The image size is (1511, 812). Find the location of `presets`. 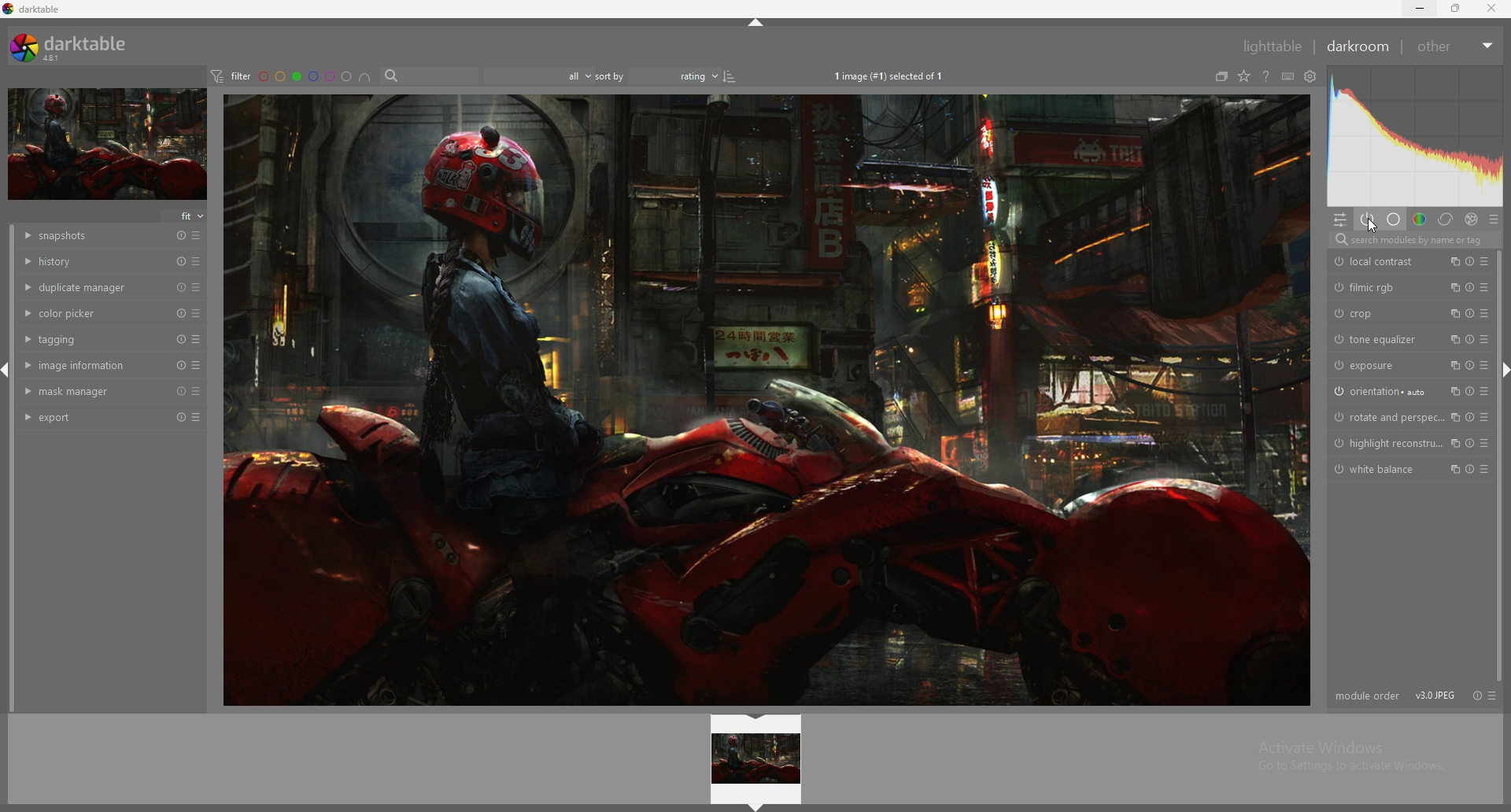

presets is located at coordinates (1486, 364).